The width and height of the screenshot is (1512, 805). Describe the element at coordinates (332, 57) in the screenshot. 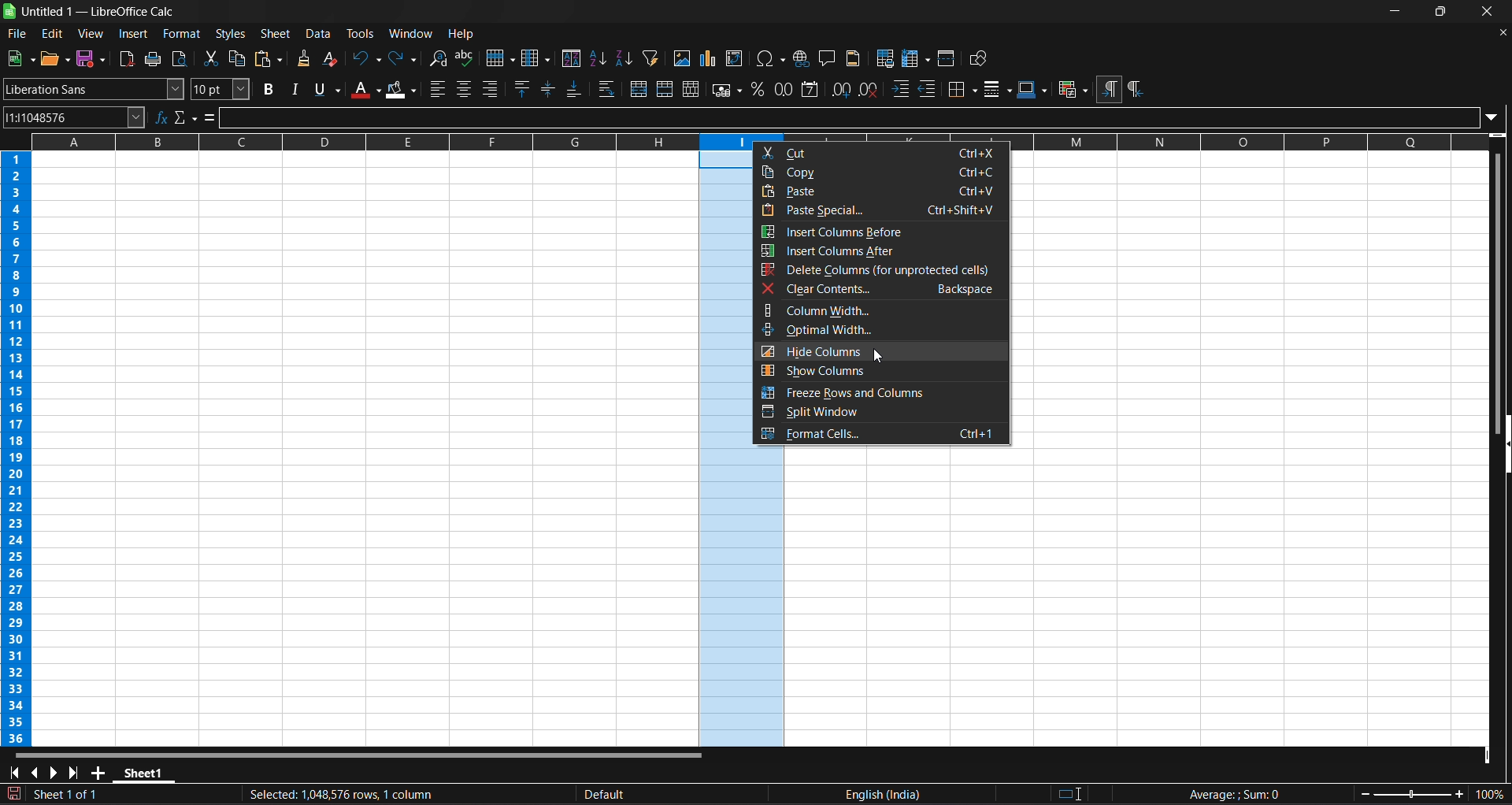

I see `clear direct formatting` at that location.